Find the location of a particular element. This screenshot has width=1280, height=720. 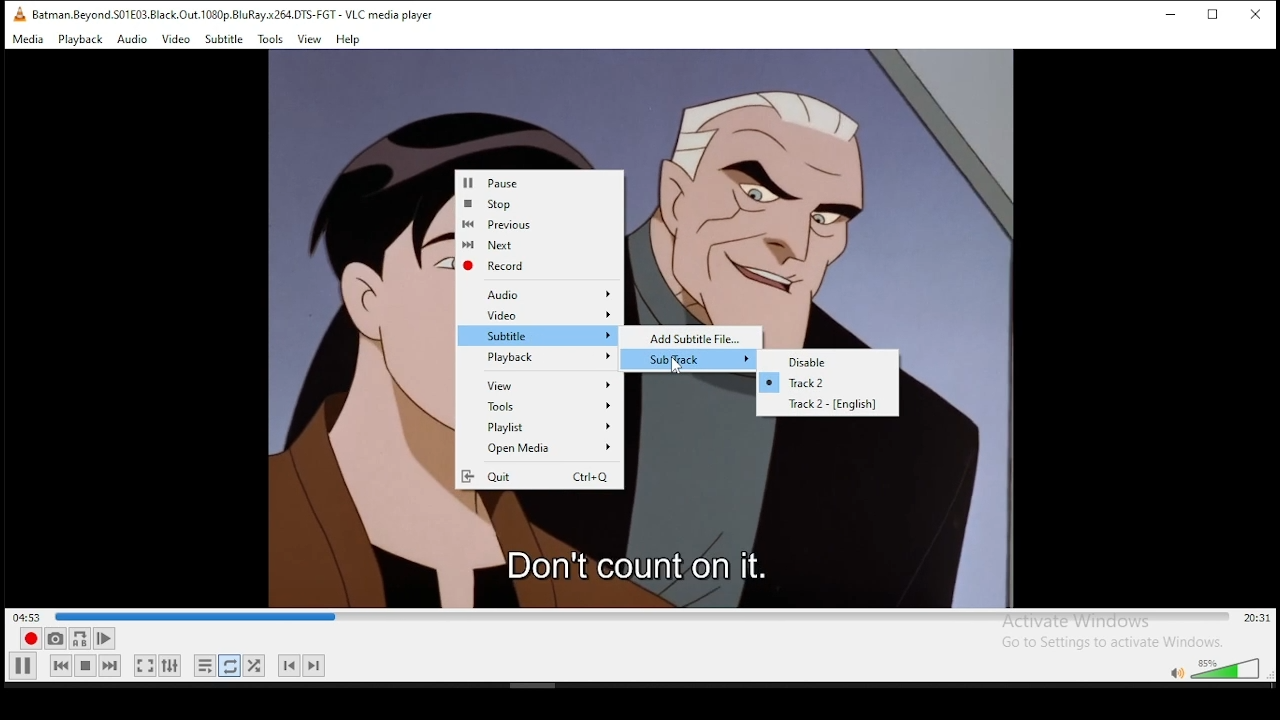

Tools. is located at coordinates (270, 40).